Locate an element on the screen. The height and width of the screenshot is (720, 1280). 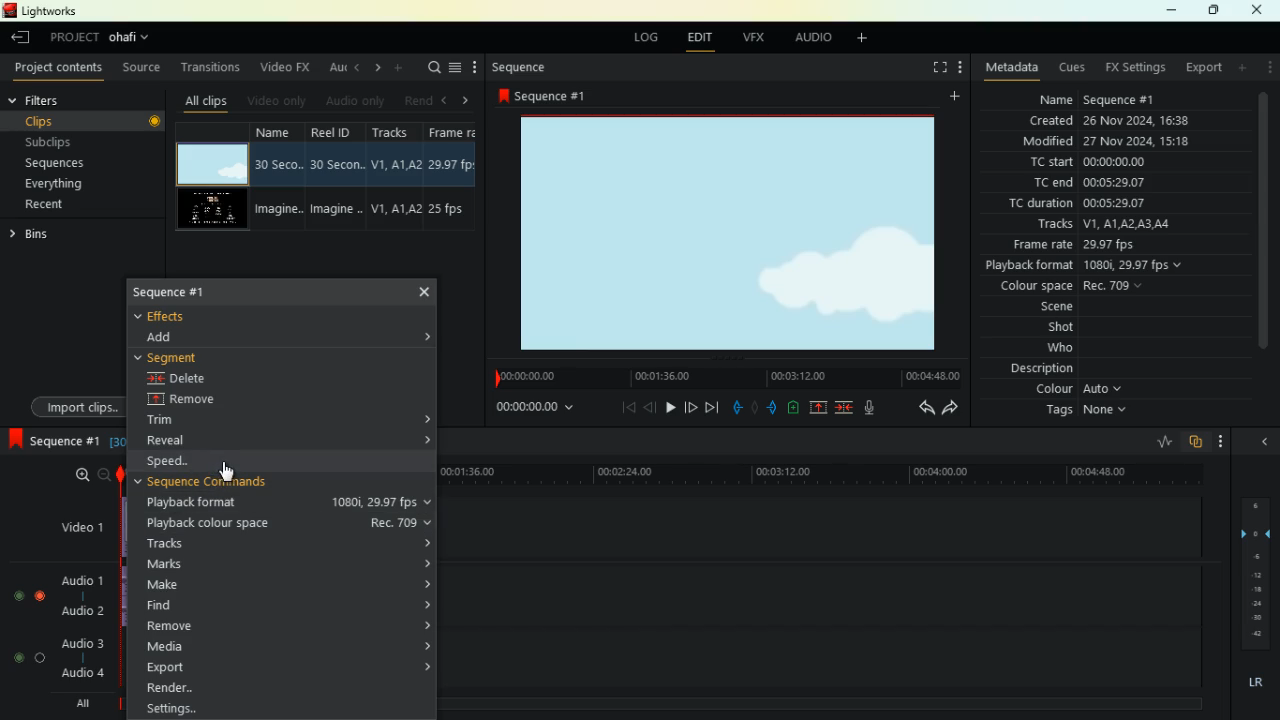
time is located at coordinates (527, 408).